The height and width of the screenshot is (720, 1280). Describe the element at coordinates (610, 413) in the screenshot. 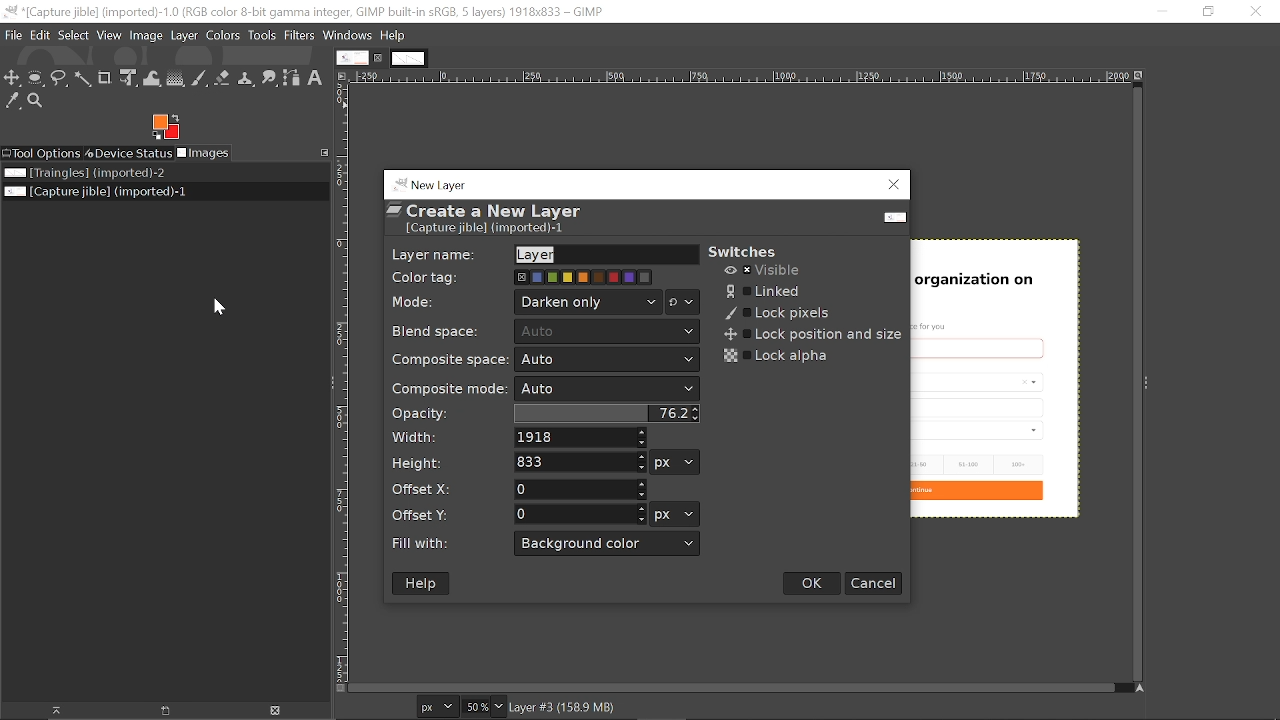

I see `Opacity` at that location.